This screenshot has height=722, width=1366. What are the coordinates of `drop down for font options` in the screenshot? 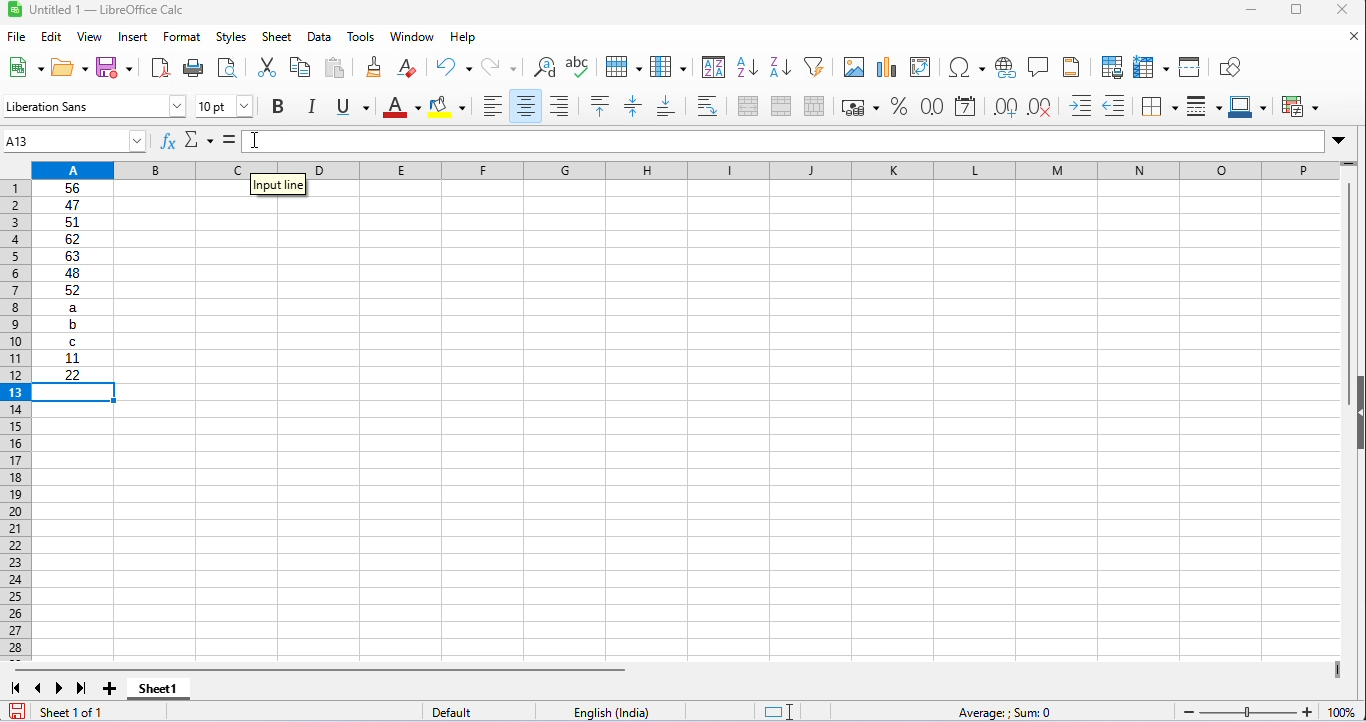 It's located at (178, 106).